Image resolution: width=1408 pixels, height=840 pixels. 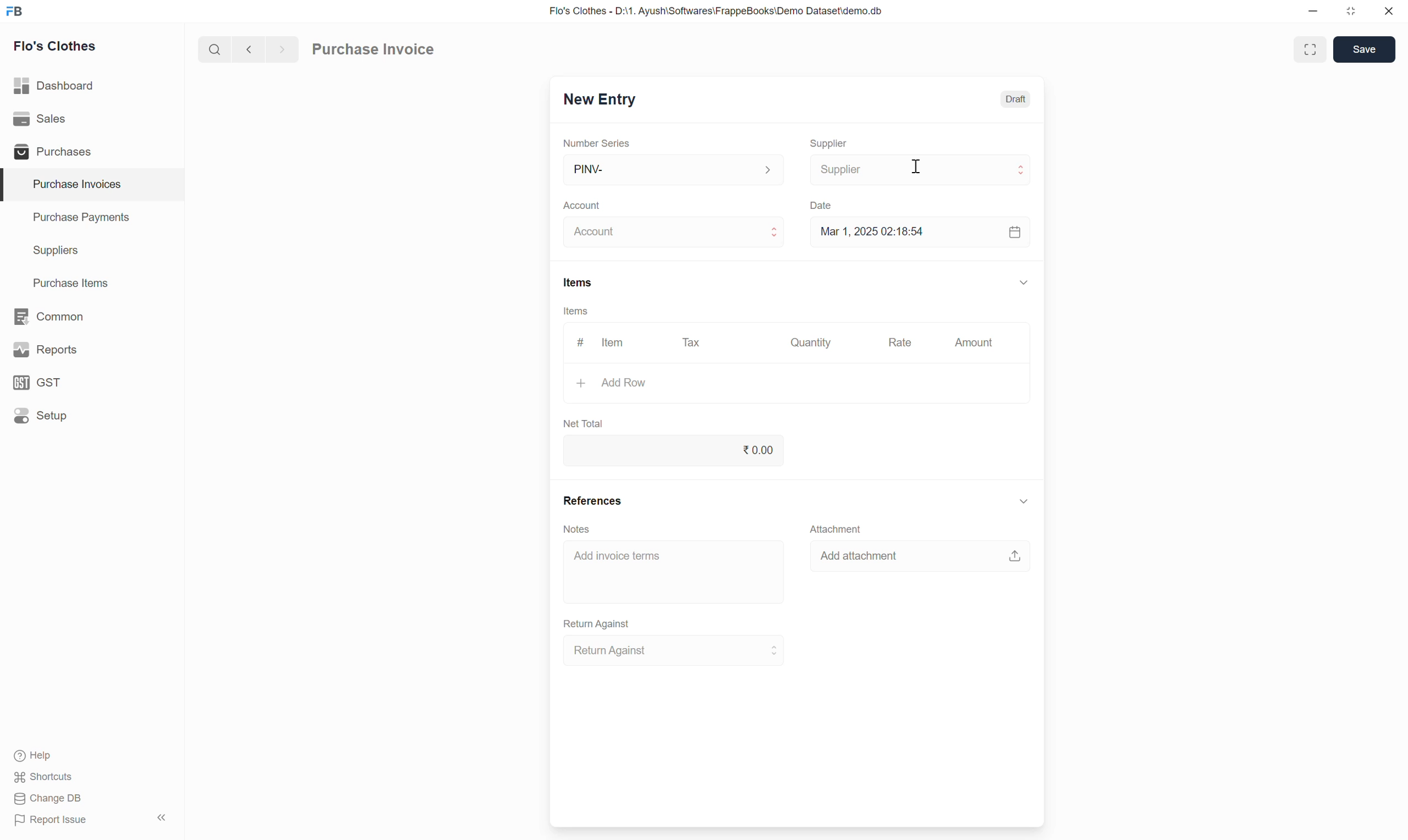 What do you see at coordinates (716, 10) in the screenshot?
I see `Flo's Clothes - D:\1. Ayush\Softwares\FrappeBooks\Demo Dataset\demo.db` at bounding box center [716, 10].